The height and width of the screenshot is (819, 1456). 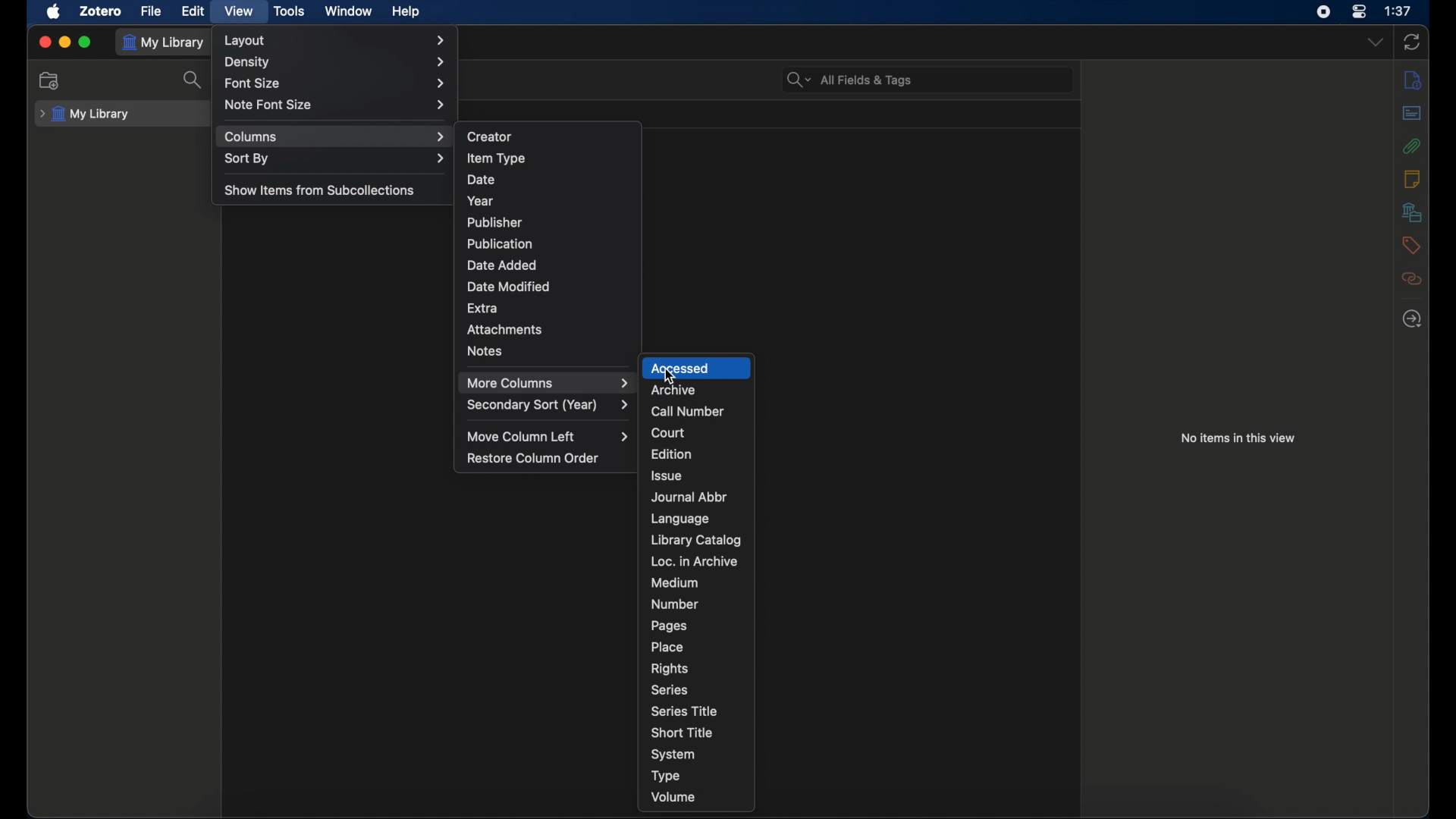 I want to click on maximize, so click(x=86, y=42).